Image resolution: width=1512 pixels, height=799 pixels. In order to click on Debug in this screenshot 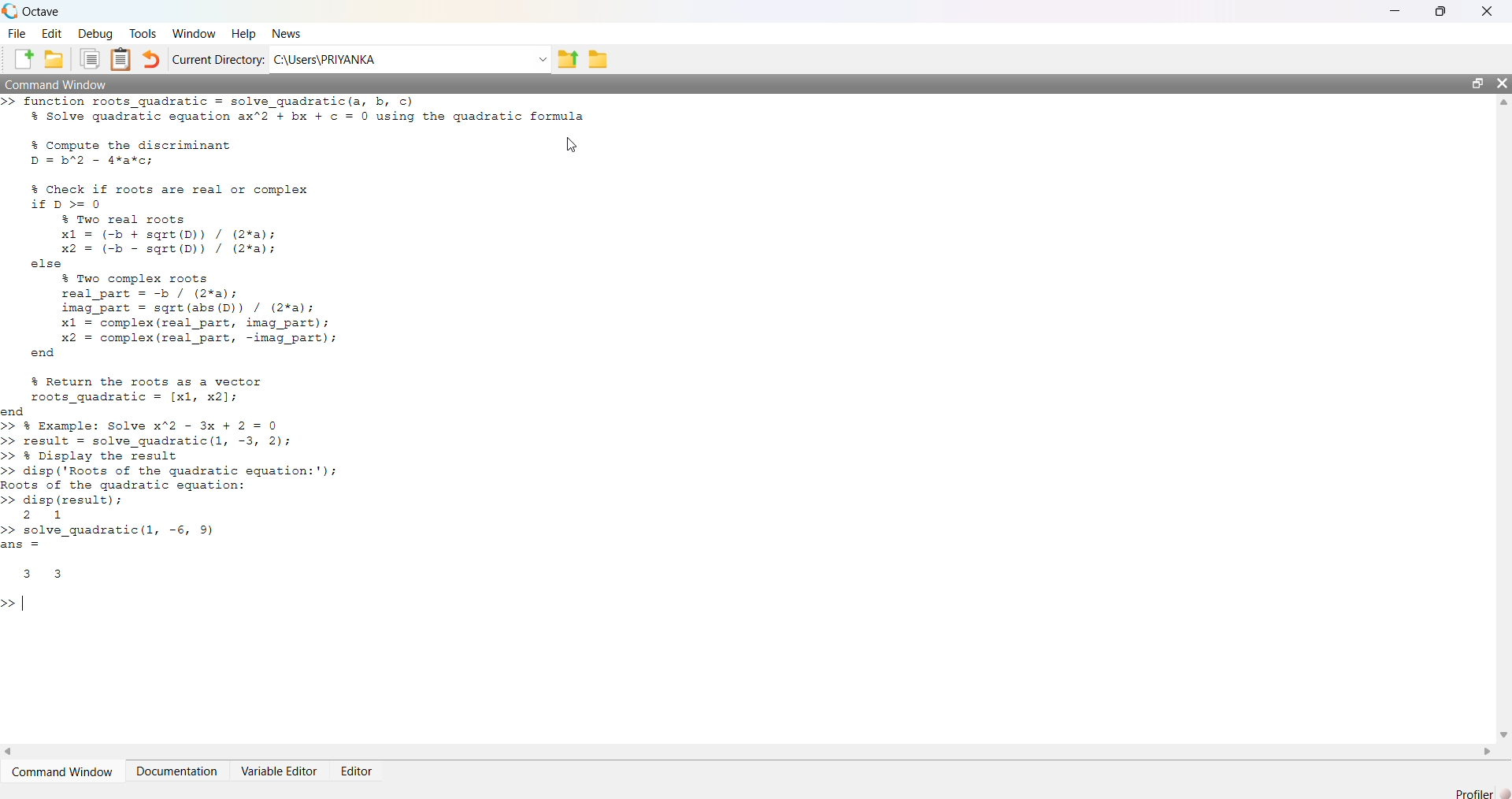, I will do `click(94, 32)`.